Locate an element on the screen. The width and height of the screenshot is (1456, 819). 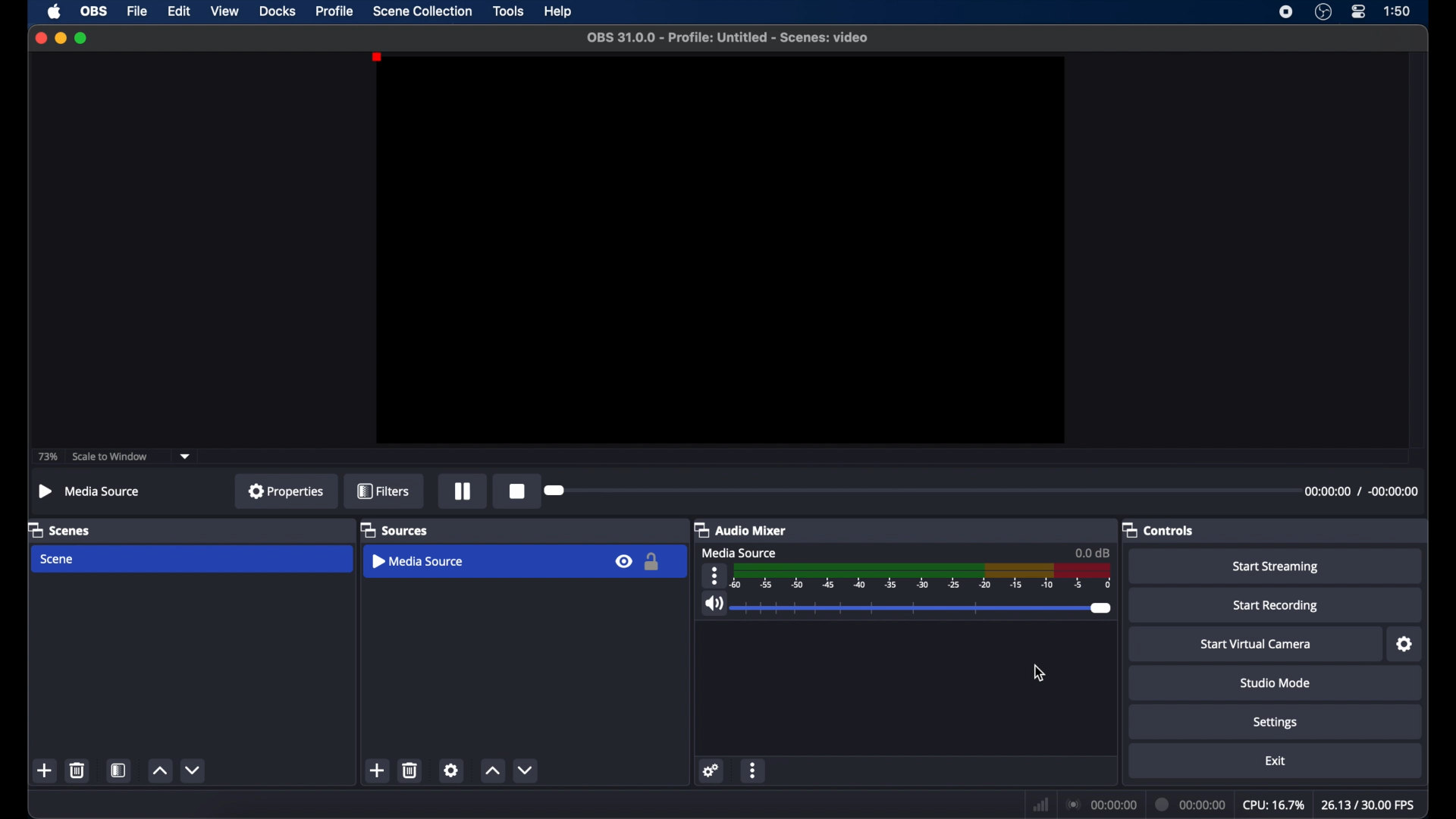
settings is located at coordinates (1277, 723).